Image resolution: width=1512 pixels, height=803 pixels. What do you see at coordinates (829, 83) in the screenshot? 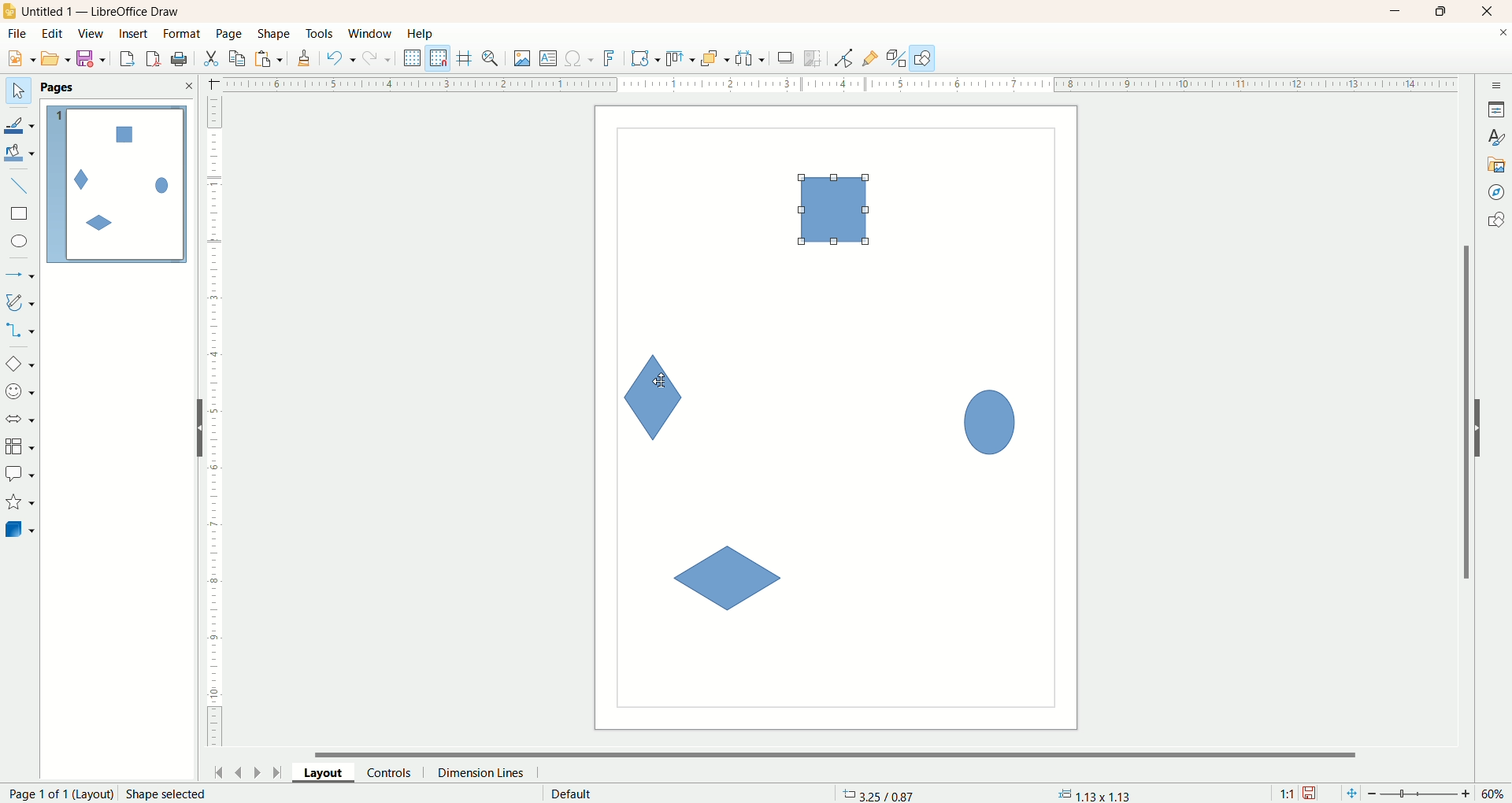
I see `scale bar` at bounding box center [829, 83].